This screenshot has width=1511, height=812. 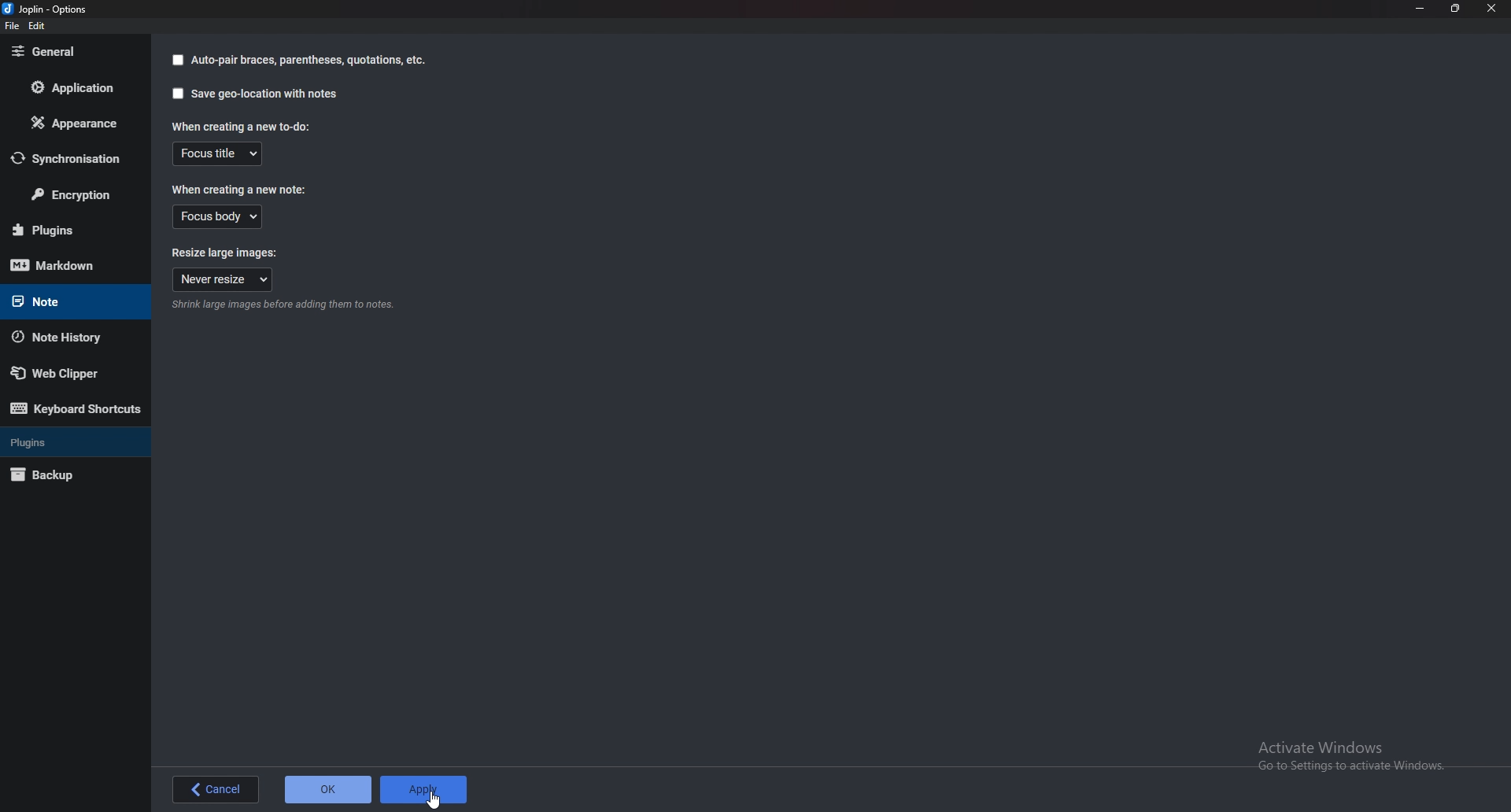 I want to click on note, so click(x=68, y=301).